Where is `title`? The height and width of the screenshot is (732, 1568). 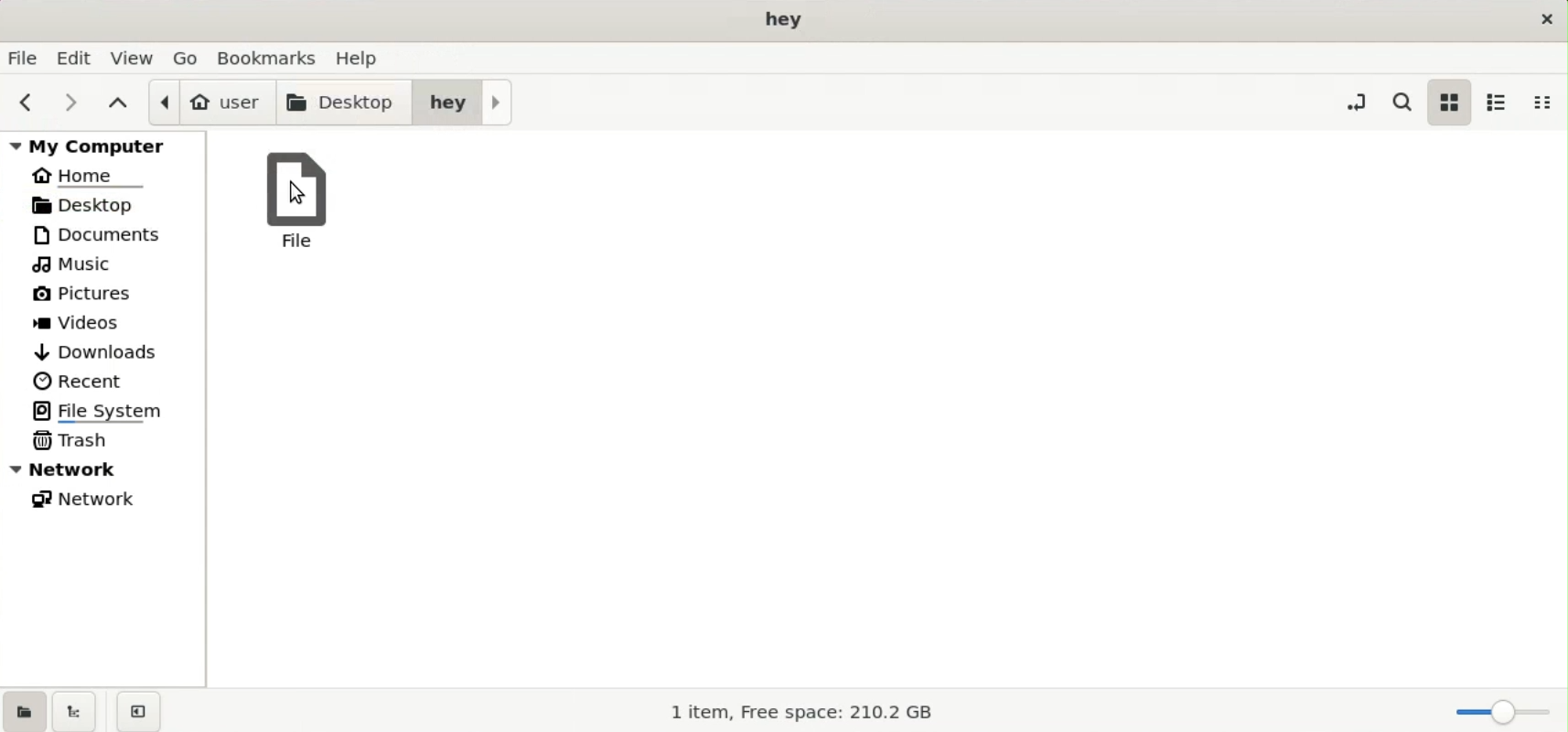 title is located at coordinates (786, 20).